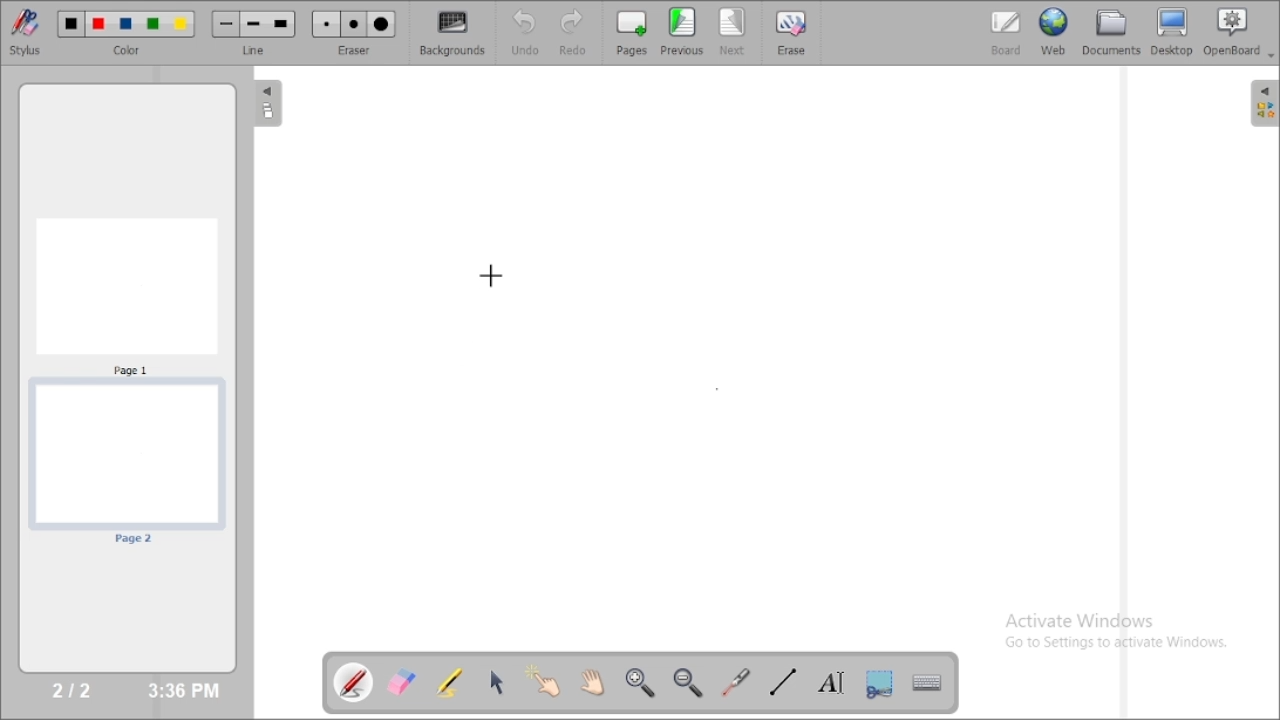 Image resolution: width=1280 pixels, height=720 pixels. Describe the element at coordinates (591, 681) in the screenshot. I see `scroll page` at that location.